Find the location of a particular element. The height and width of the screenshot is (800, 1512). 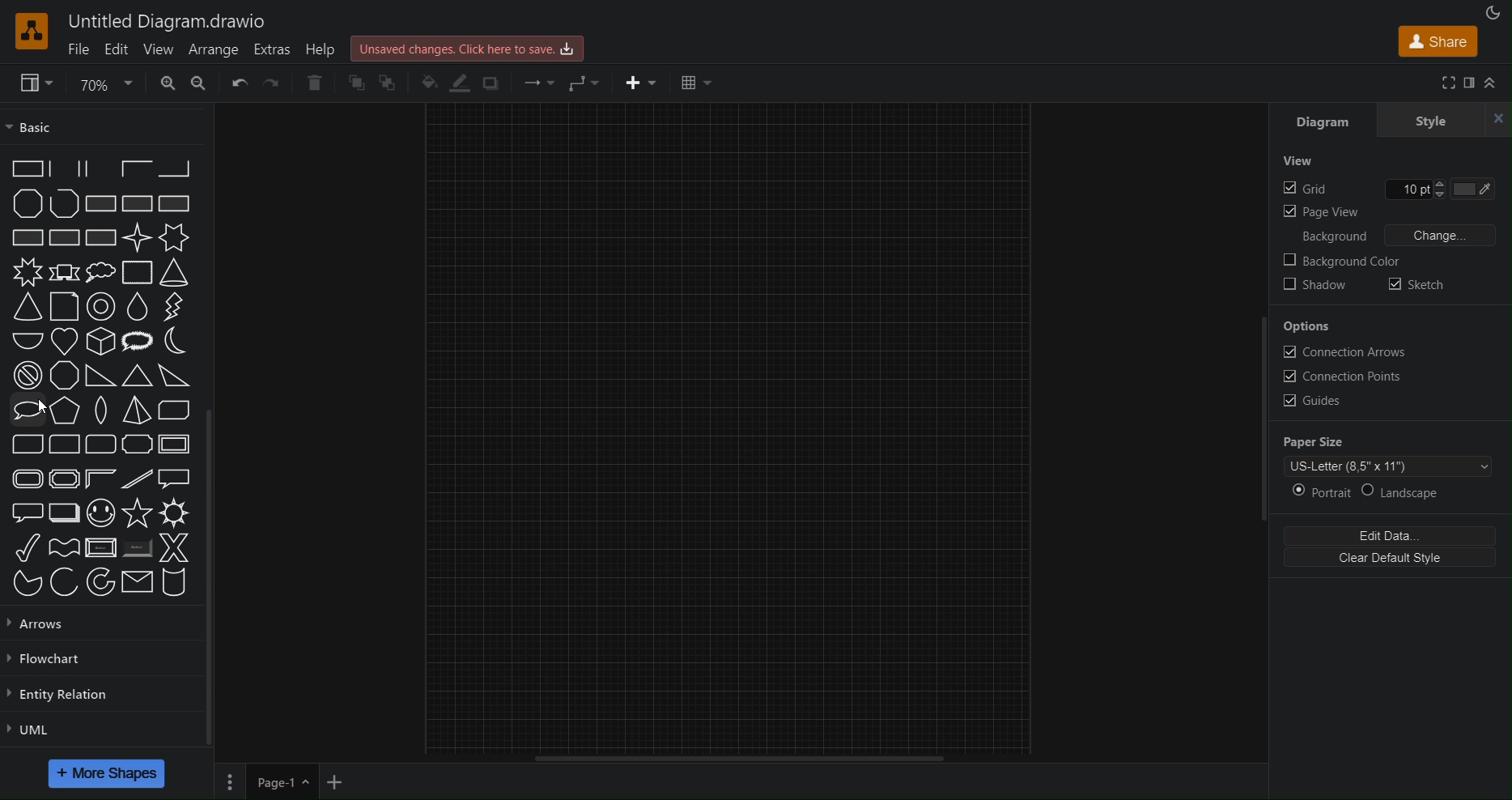

Polygon is located at coordinates (25, 202).